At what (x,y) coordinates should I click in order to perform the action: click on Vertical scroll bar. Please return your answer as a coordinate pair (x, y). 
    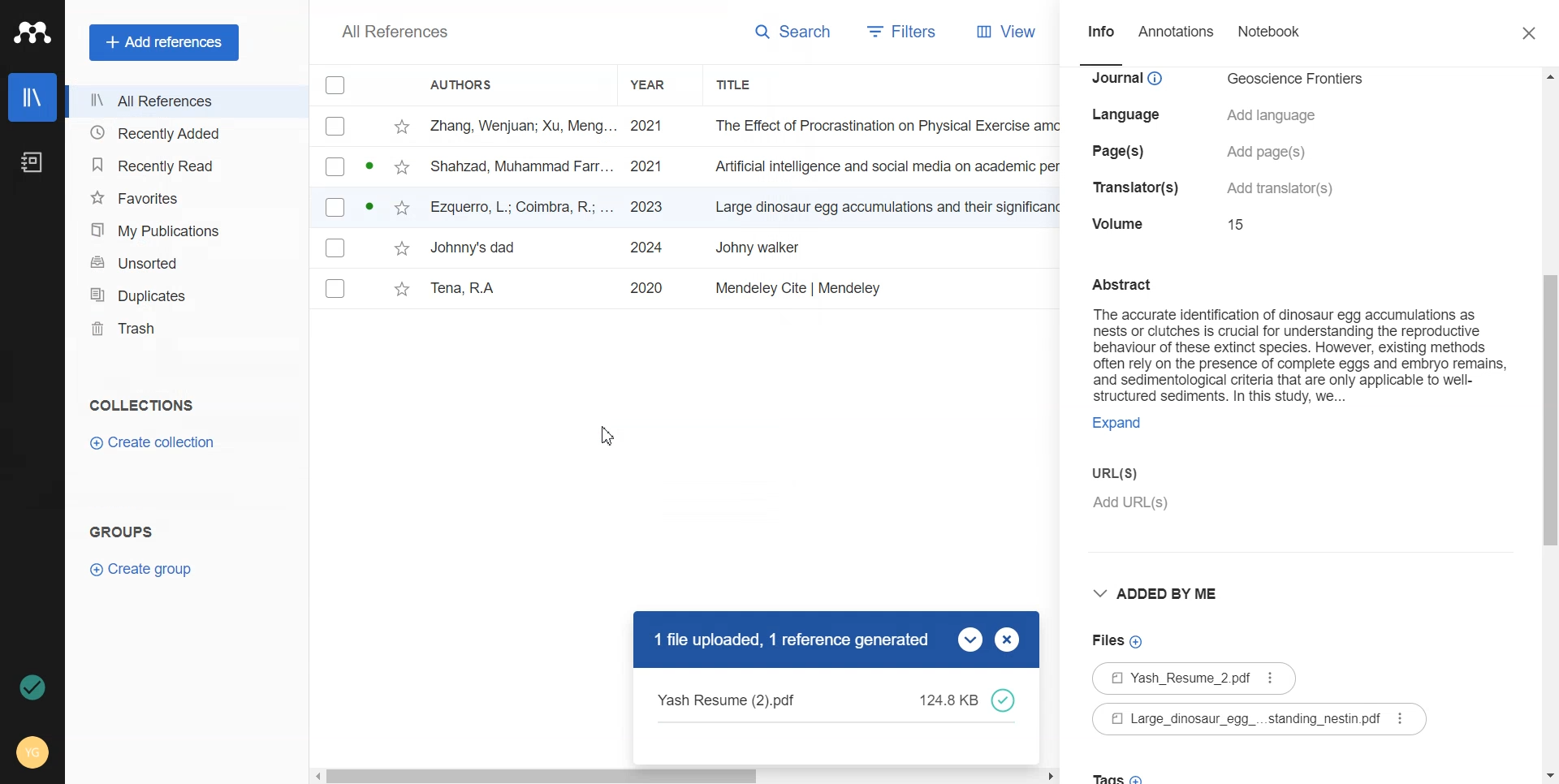
    Looking at the image, I should click on (1549, 424).